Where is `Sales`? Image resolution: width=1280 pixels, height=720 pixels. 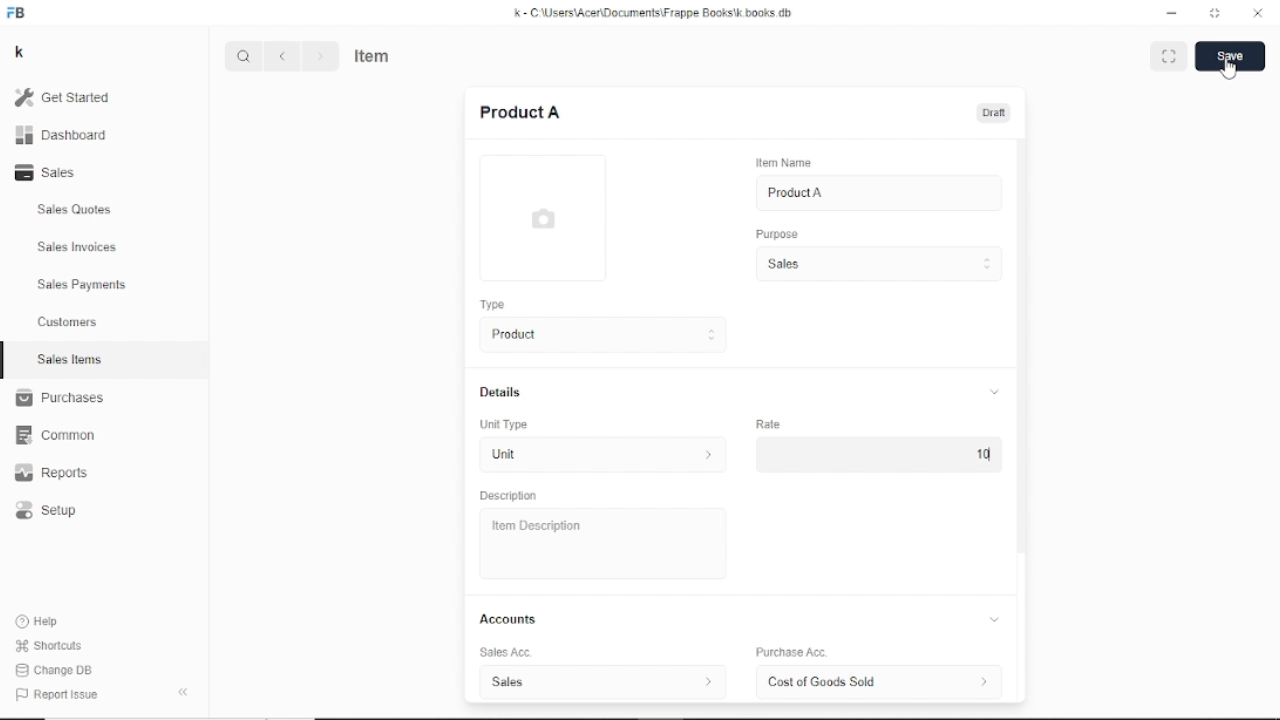 Sales is located at coordinates (601, 681).